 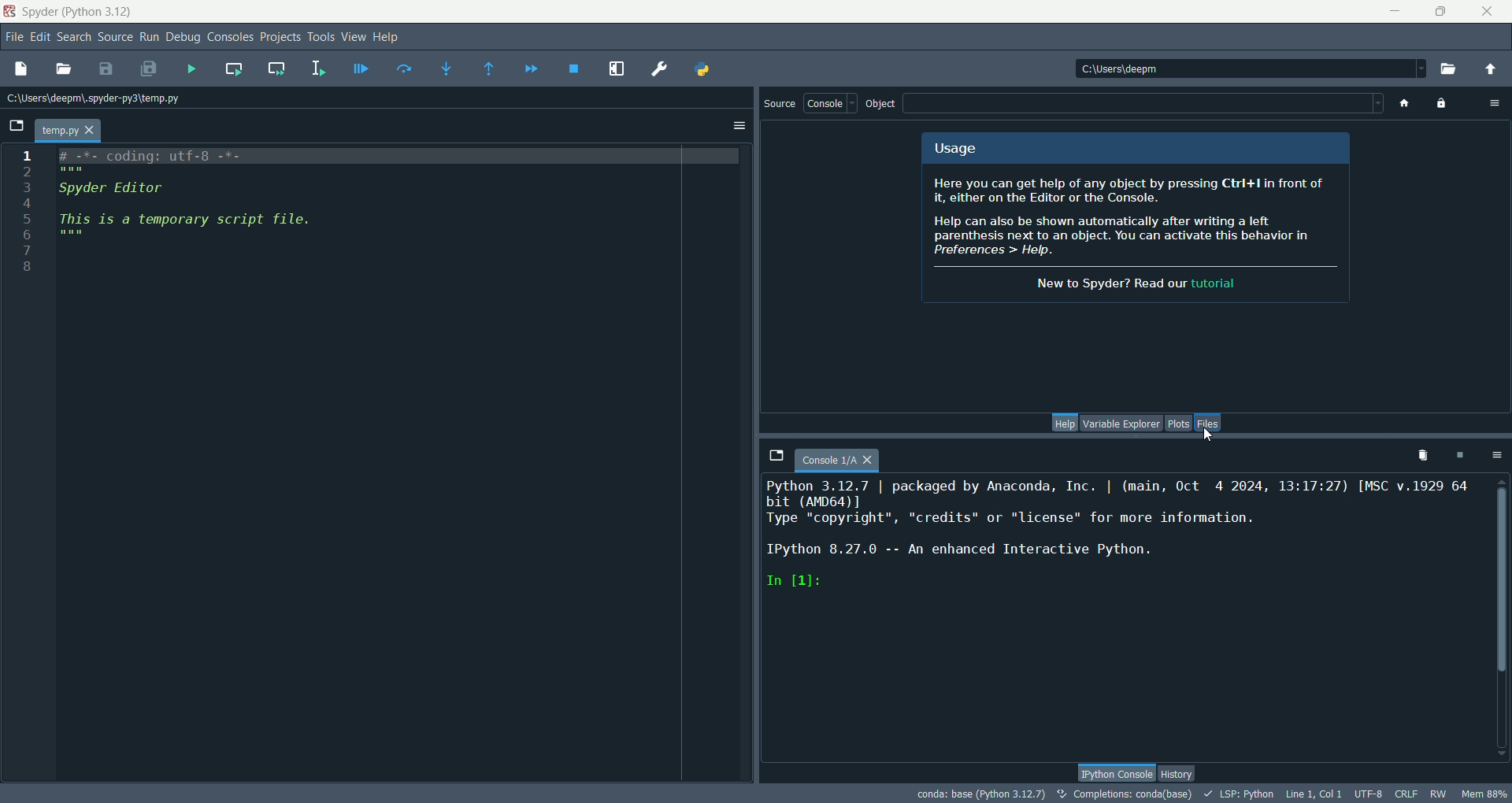 I want to click on history, so click(x=1177, y=774).